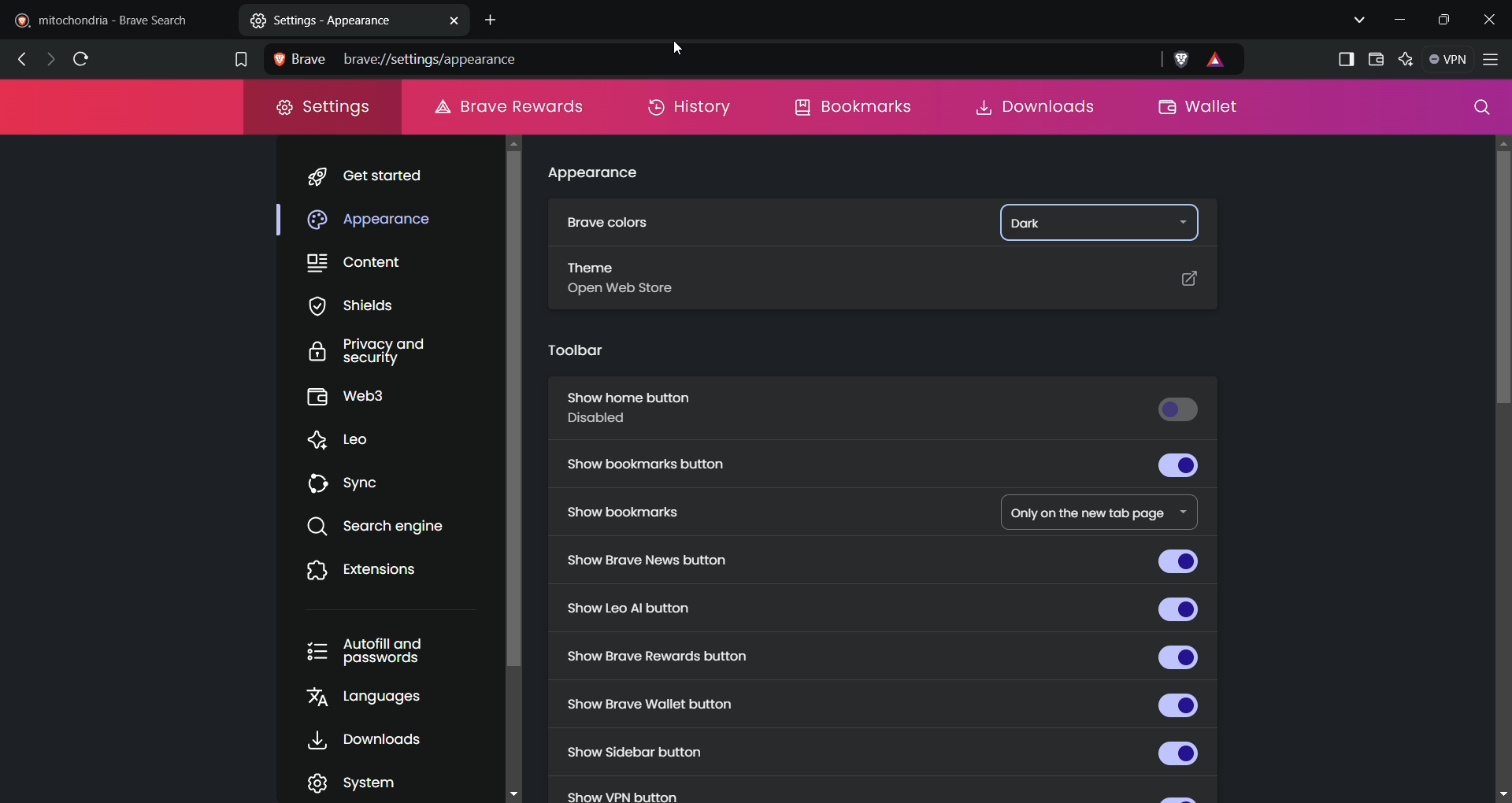  What do you see at coordinates (1220, 62) in the screenshot?
I see `brave rewards` at bounding box center [1220, 62].